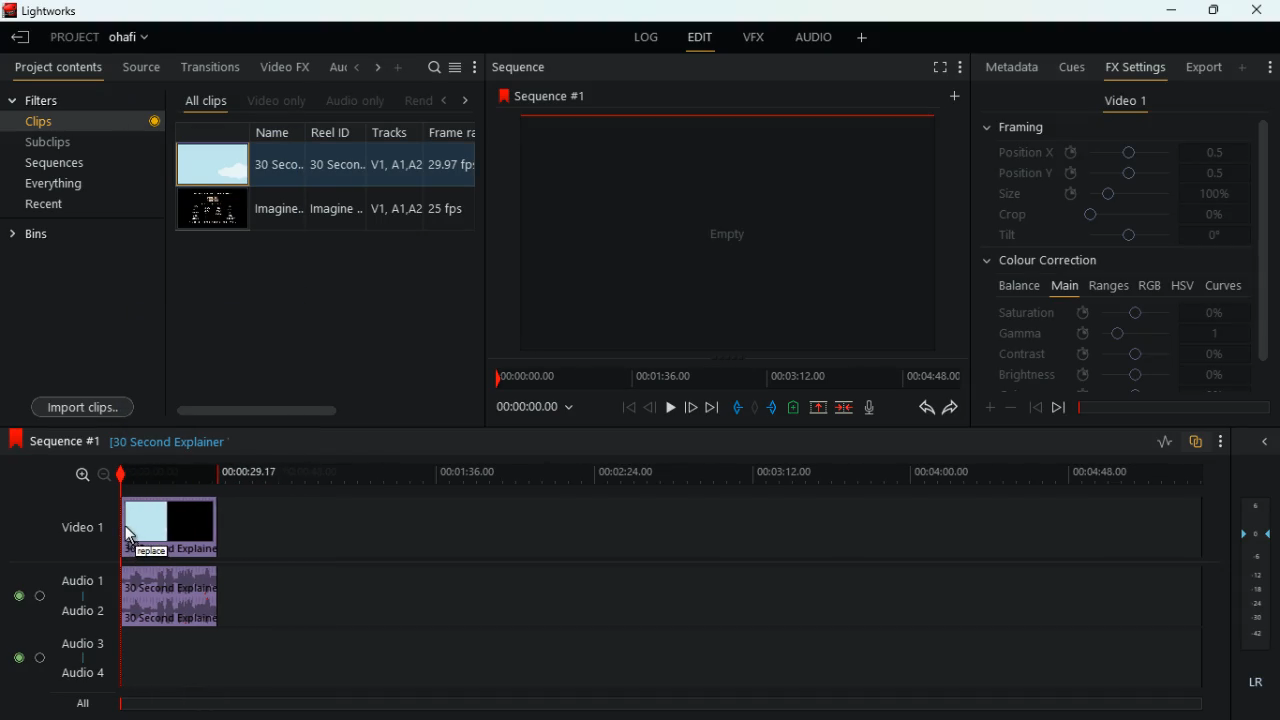 The height and width of the screenshot is (720, 1280). Describe the element at coordinates (1180, 285) in the screenshot. I see `hsv` at that location.